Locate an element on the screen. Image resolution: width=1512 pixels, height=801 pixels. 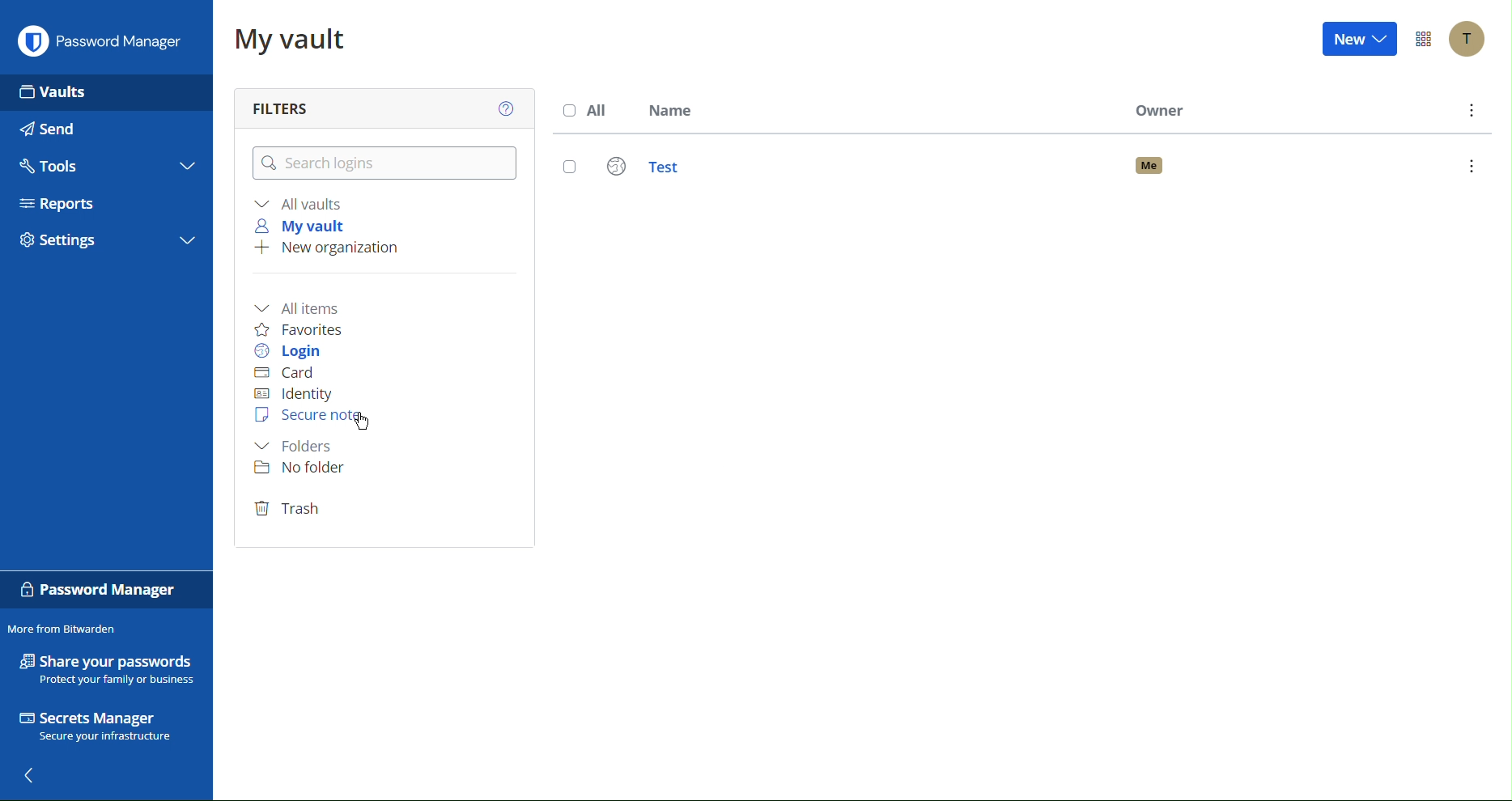
No folder is located at coordinates (298, 469).